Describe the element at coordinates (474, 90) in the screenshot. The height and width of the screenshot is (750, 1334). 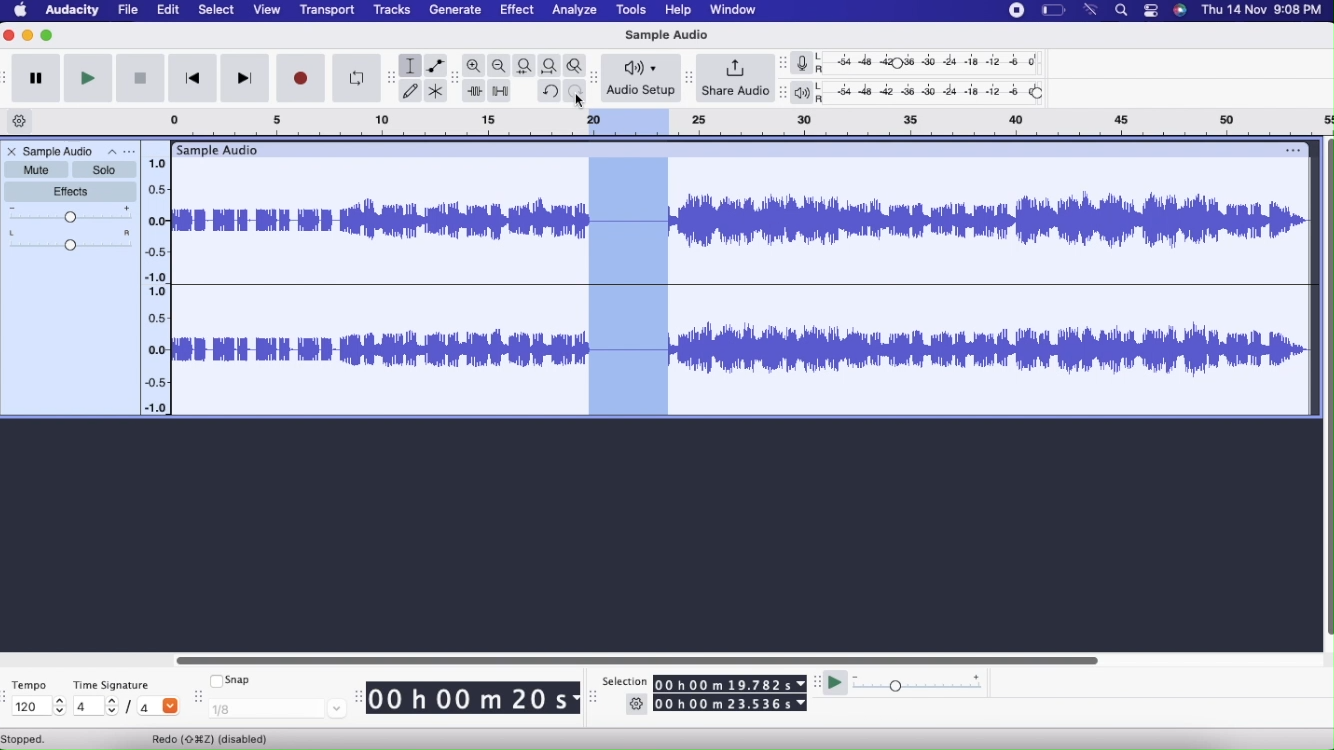
I see `Trim outside selection` at that location.